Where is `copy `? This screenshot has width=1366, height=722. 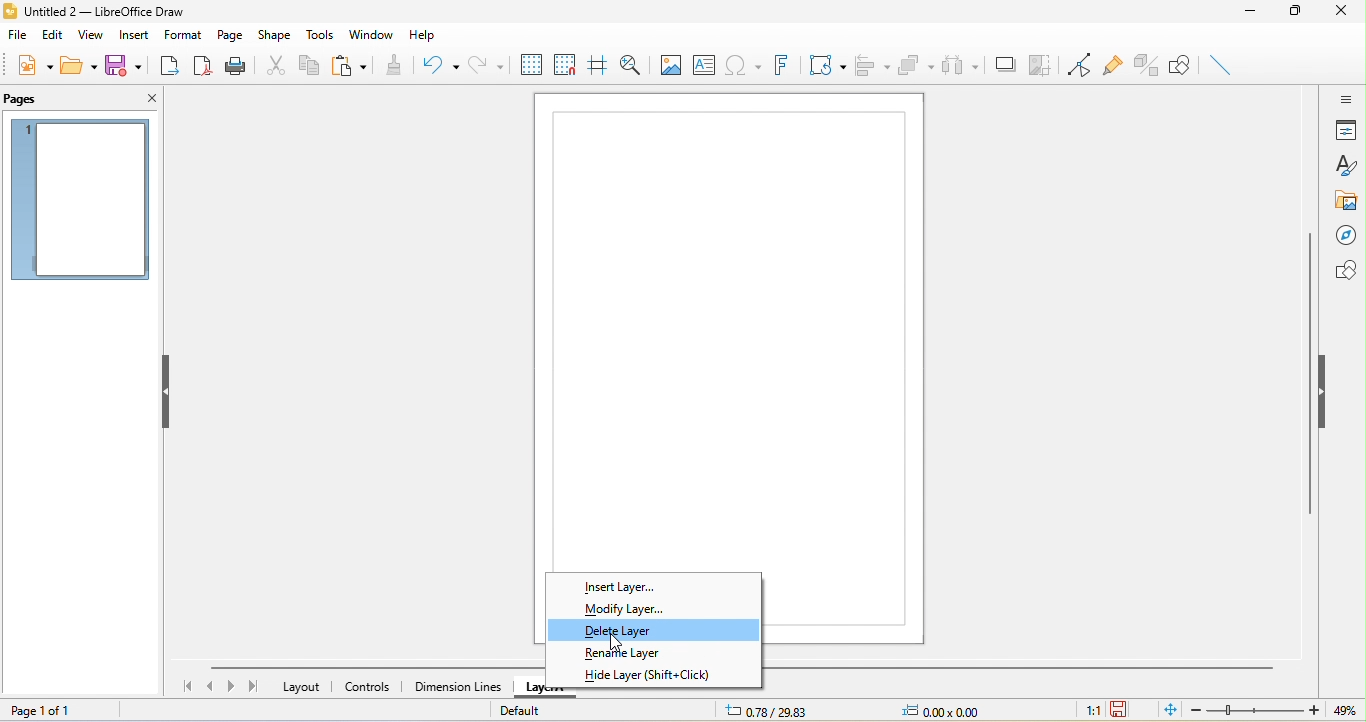 copy  is located at coordinates (311, 66).